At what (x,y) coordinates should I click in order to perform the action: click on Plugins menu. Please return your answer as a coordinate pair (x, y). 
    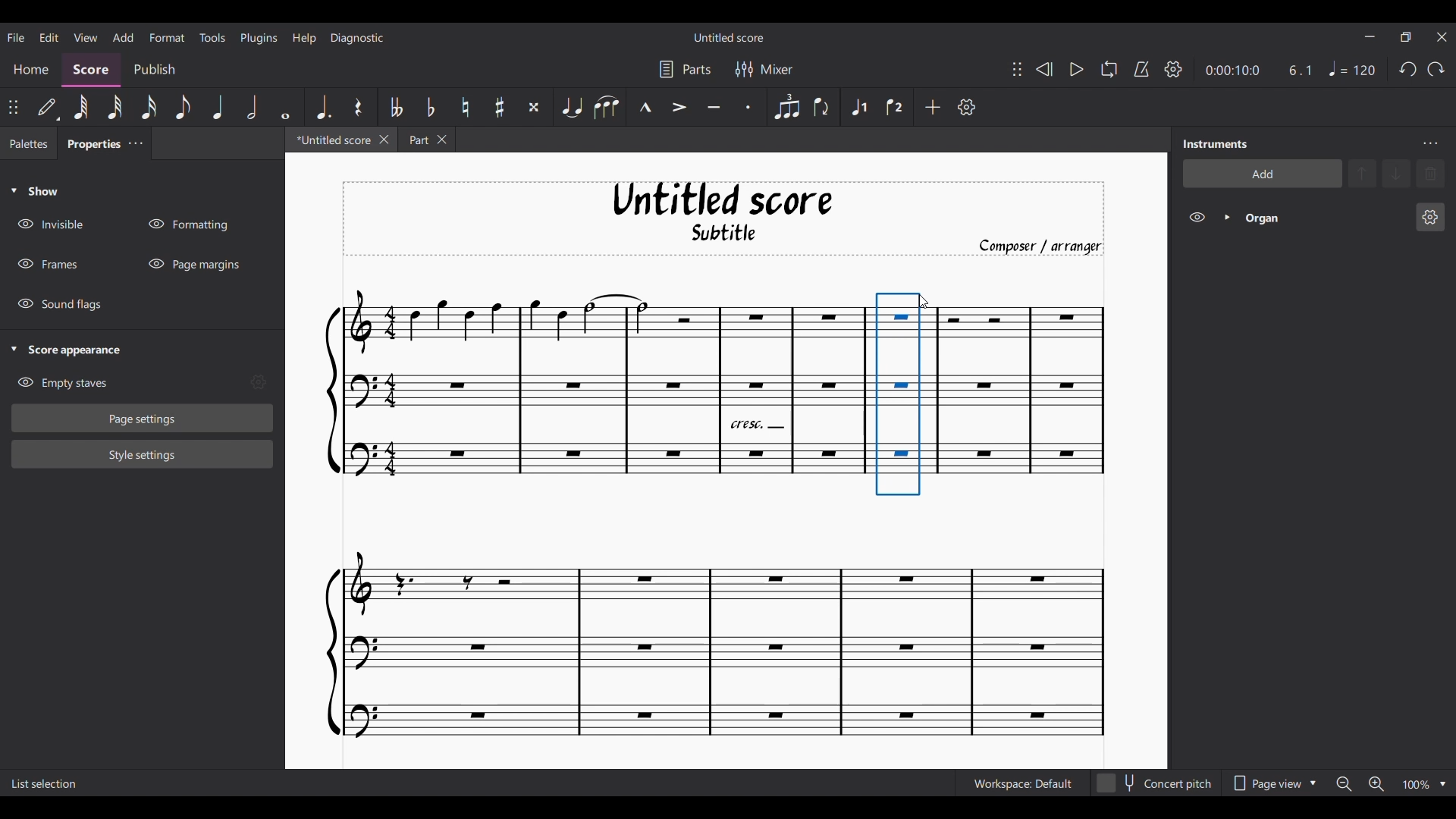
    Looking at the image, I should click on (259, 38).